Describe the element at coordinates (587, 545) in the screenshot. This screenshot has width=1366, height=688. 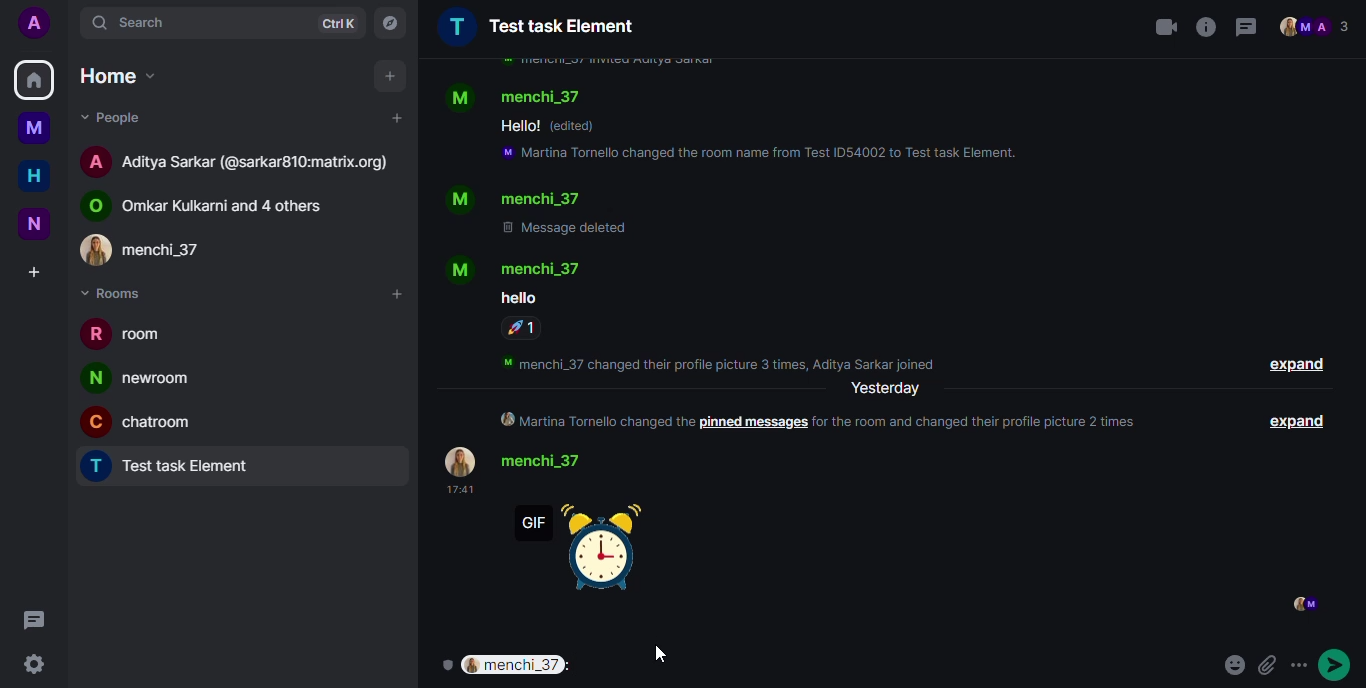
I see `gif` at that location.